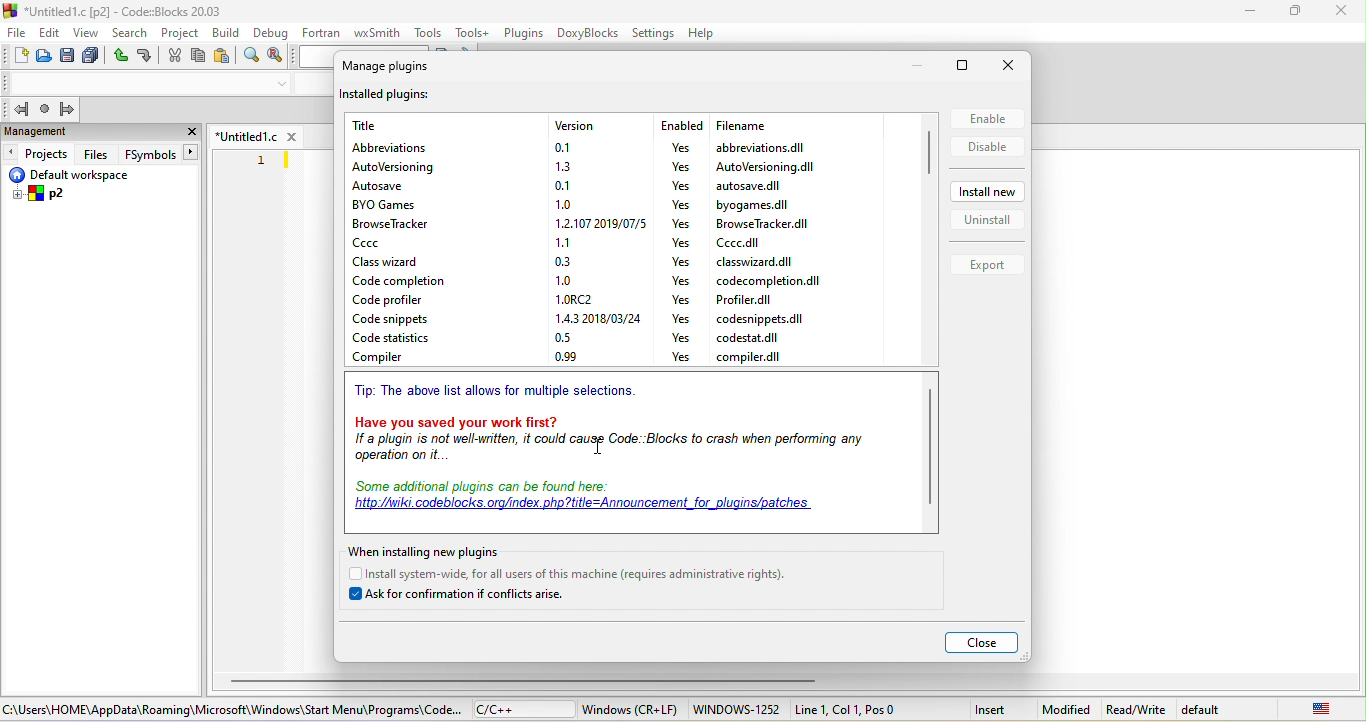 This screenshot has width=1366, height=722. What do you see at coordinates (759, 264) in the screenshot?
I see `classwizard` at bounding box center [759, 264].